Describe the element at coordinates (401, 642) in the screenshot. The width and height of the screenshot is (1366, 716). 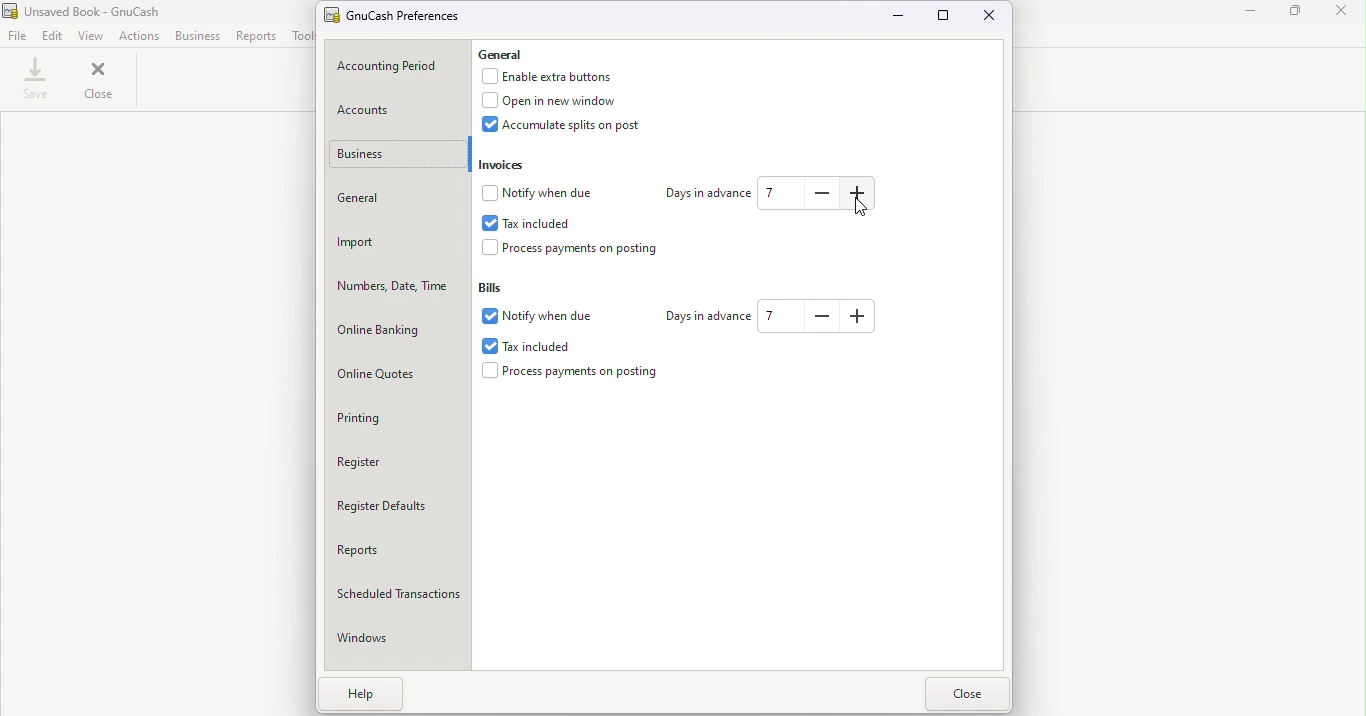
I see `Windows` at that location.